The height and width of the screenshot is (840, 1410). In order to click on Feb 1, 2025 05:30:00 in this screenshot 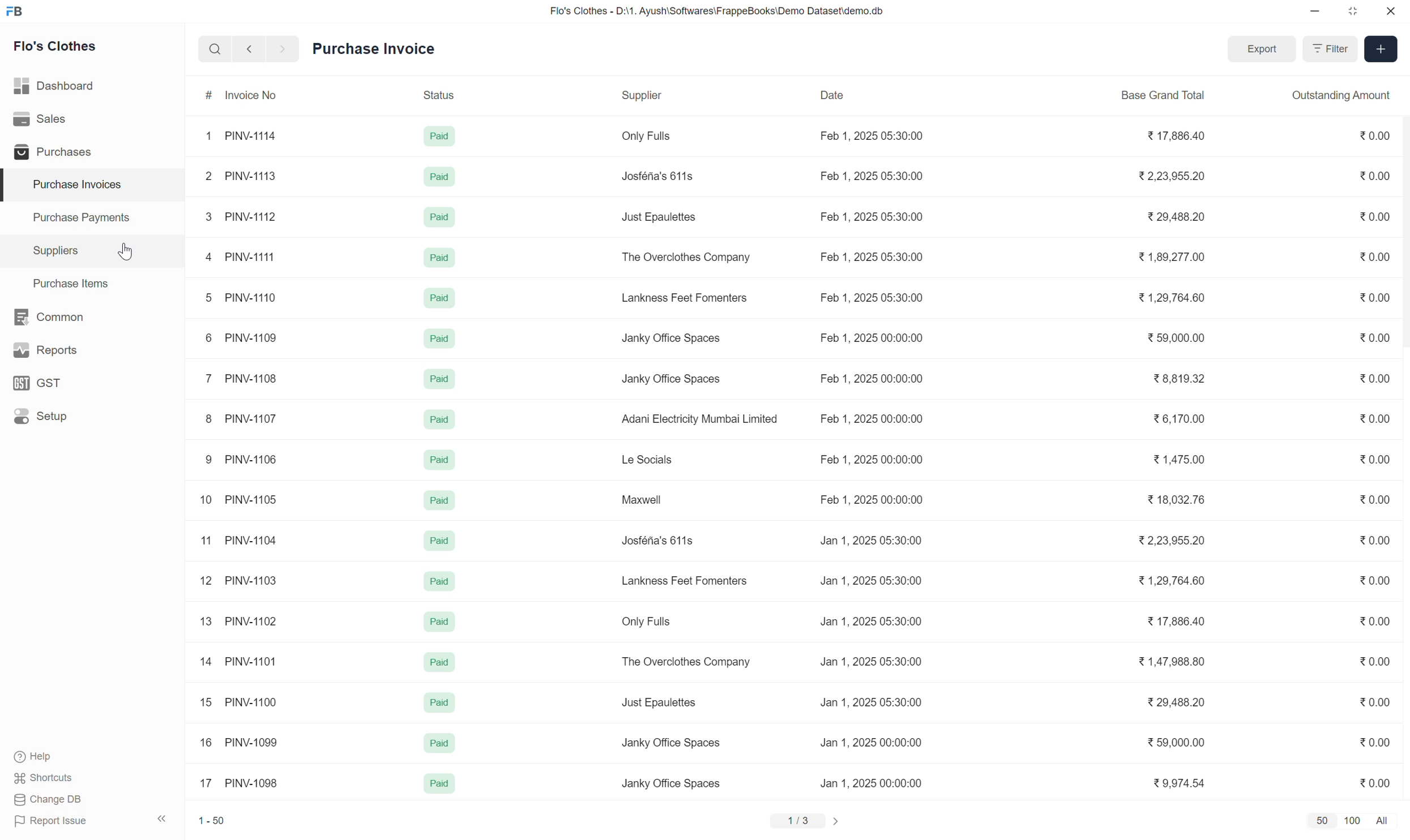, I will do `click(871, 176)`.